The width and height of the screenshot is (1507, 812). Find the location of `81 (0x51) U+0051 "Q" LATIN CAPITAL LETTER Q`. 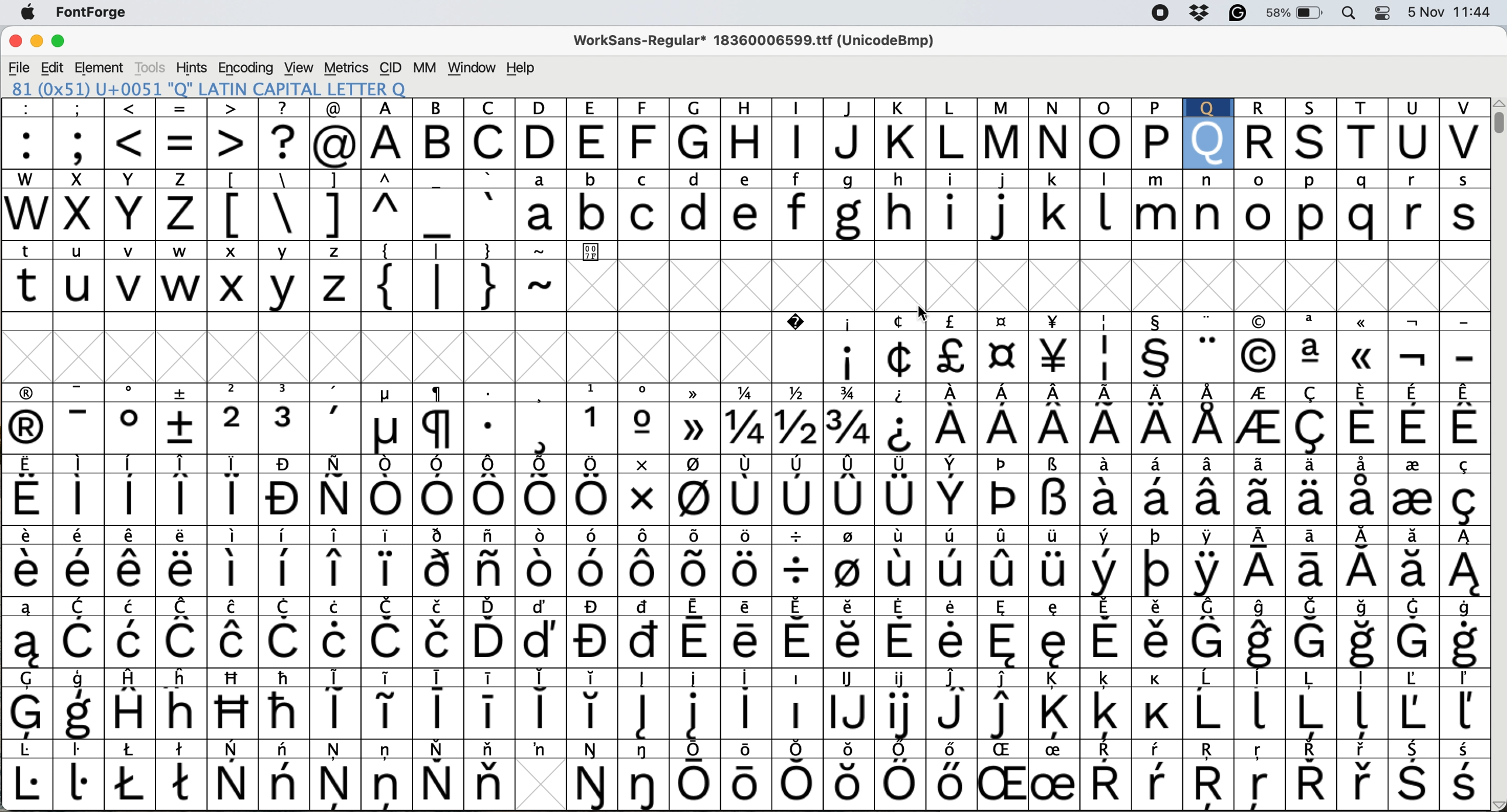

81 (0x51) U+0051 "Q" LATIN CAPITAL LETTER Q is located at coordinates (233, 88).